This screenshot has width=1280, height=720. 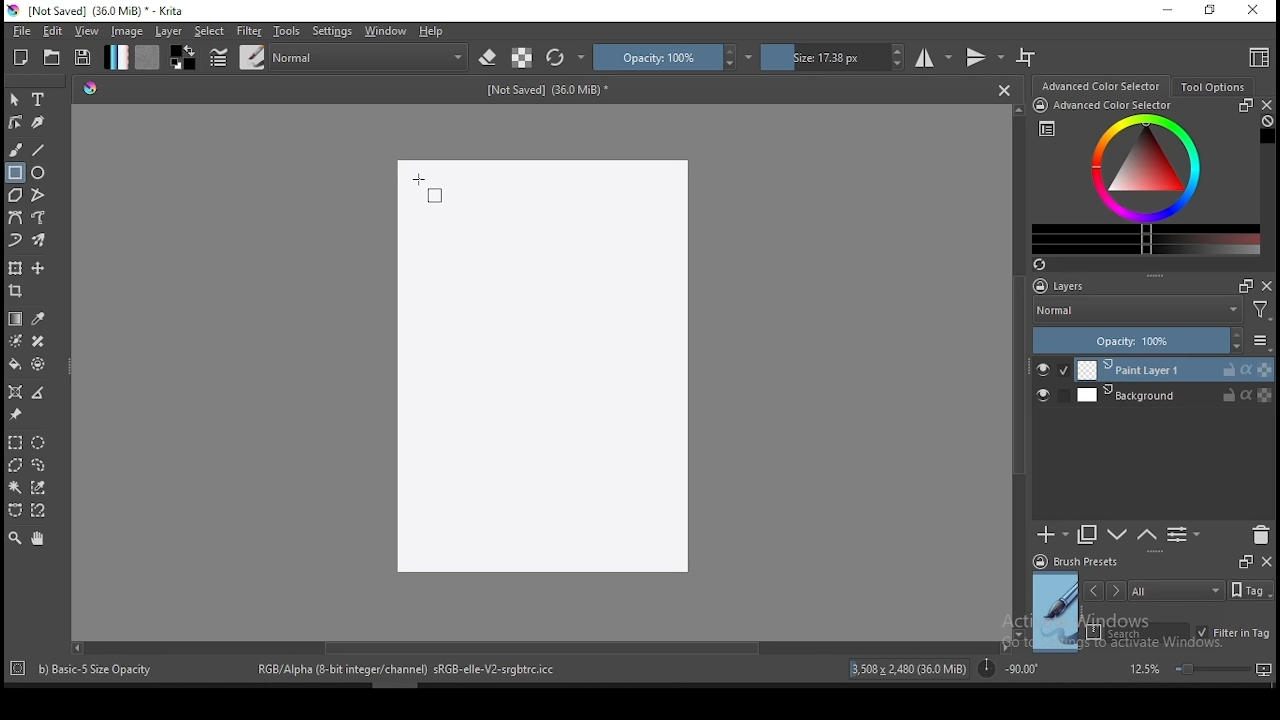 What do you see at coordinates (38, 341) in the screenshot?
I see `smart patch tool` at bounding box center [38, 341].